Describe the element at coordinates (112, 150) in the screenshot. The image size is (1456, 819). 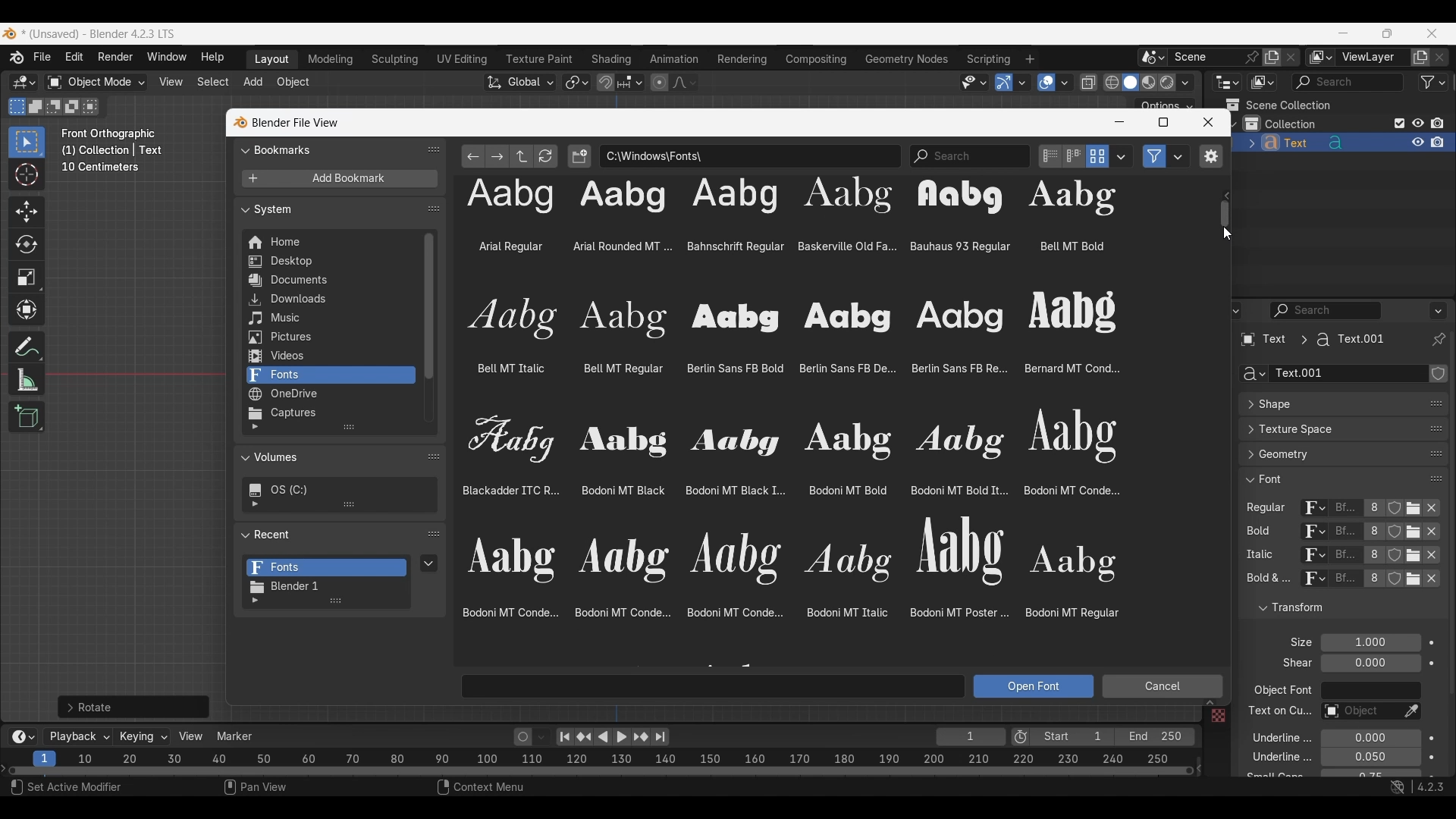
I see `Frame description changed` at that location.